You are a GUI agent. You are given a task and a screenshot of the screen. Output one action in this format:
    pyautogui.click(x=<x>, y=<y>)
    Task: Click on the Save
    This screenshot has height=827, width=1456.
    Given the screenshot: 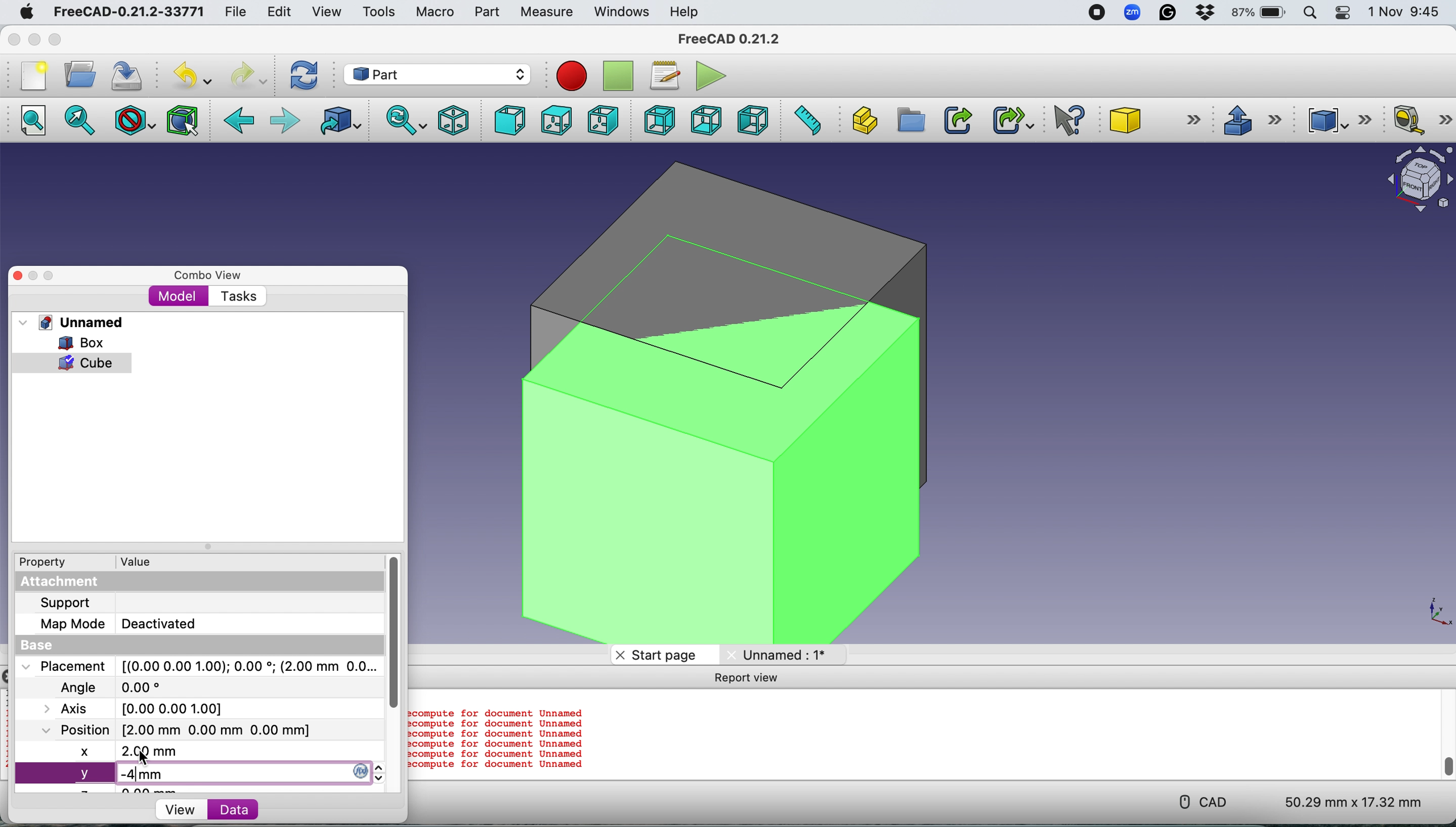 What is the action you would take?
    pyautogui.click(x=130, y=73)
    